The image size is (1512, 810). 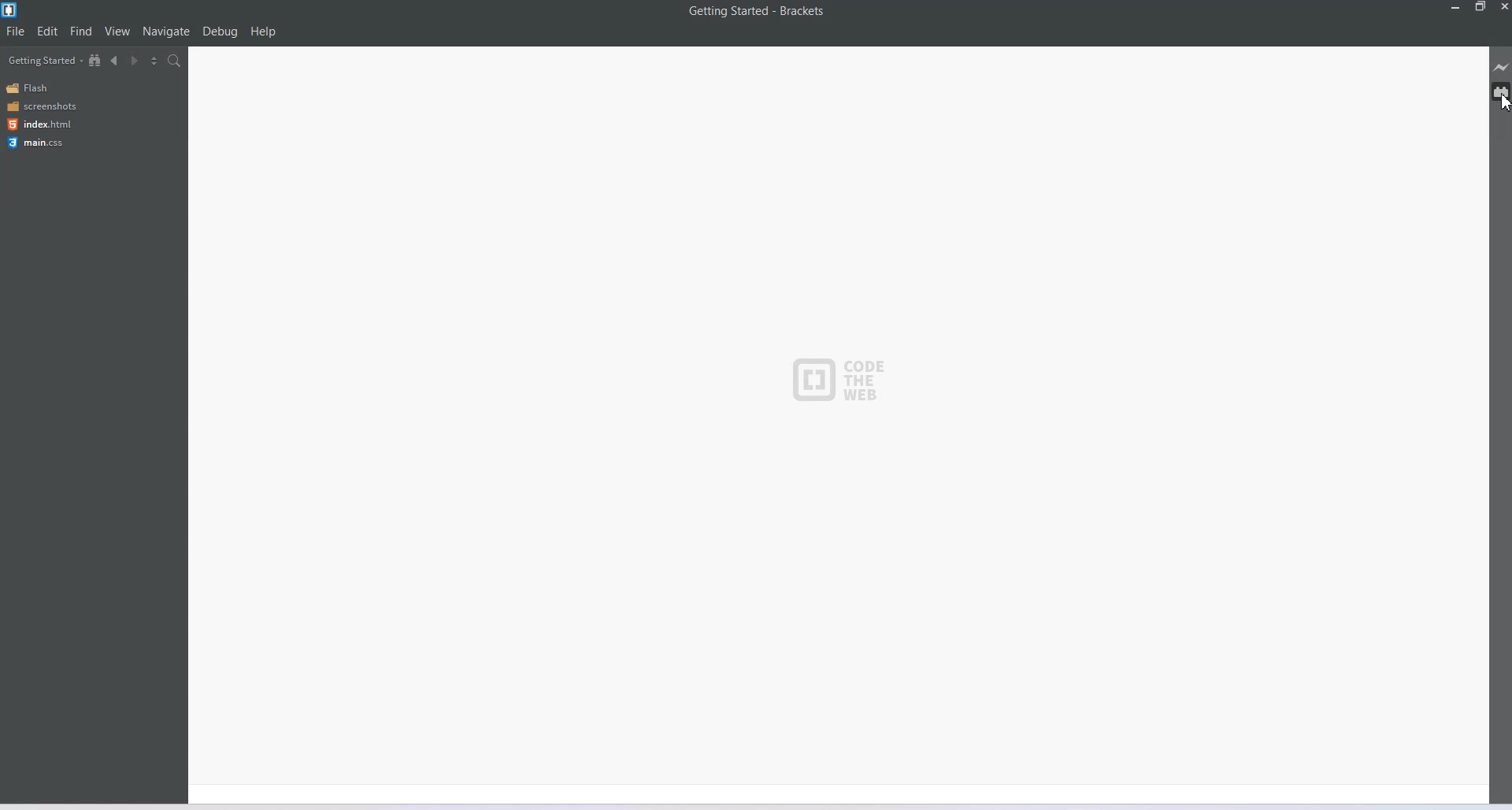 I want to click on Debug, so click(x=220, y=32).